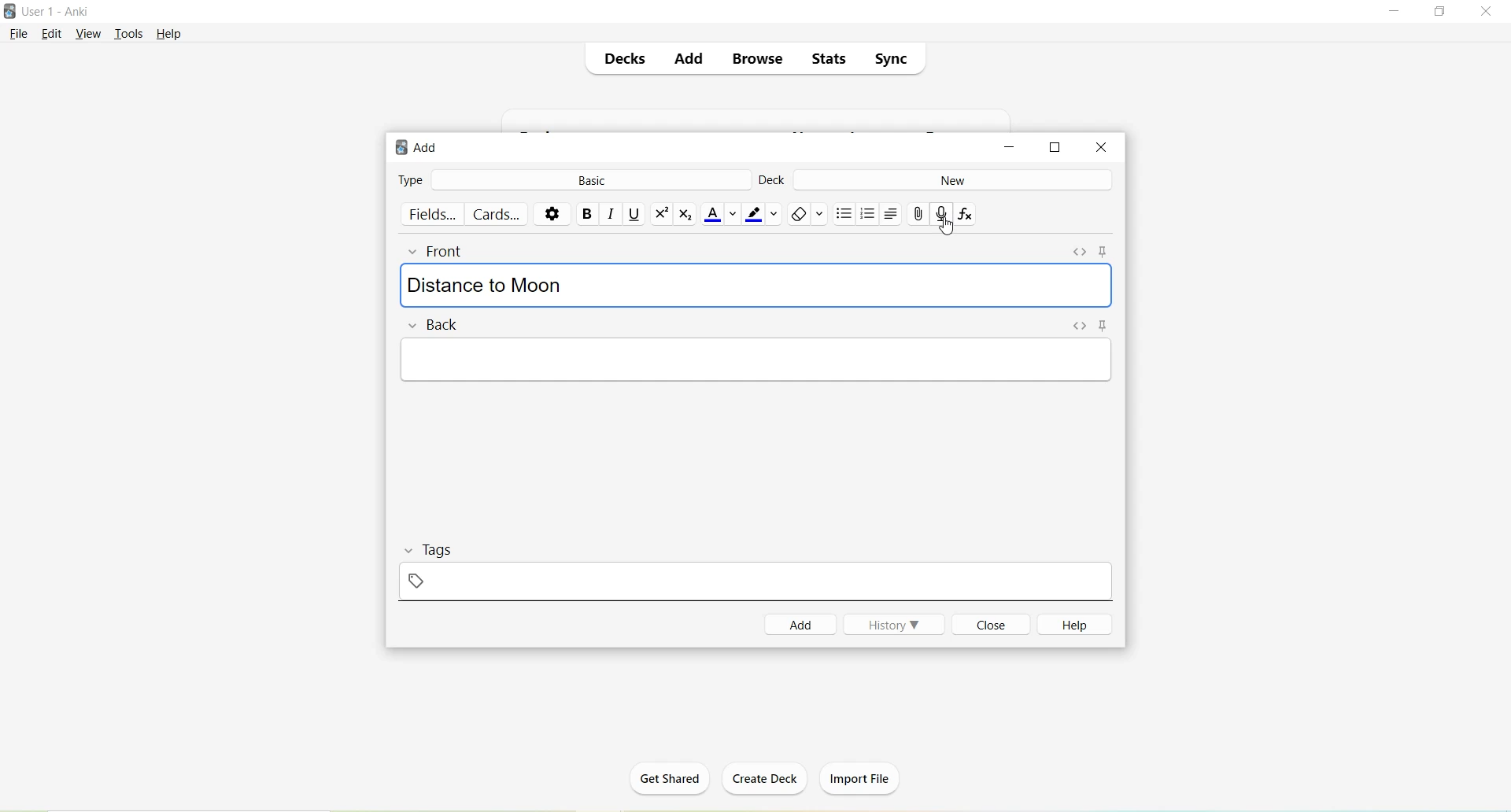  What do you see at coordinates (1106, 252) in the screenshot?
I see `Toggle sticky` at bounding box center [1106, 252].